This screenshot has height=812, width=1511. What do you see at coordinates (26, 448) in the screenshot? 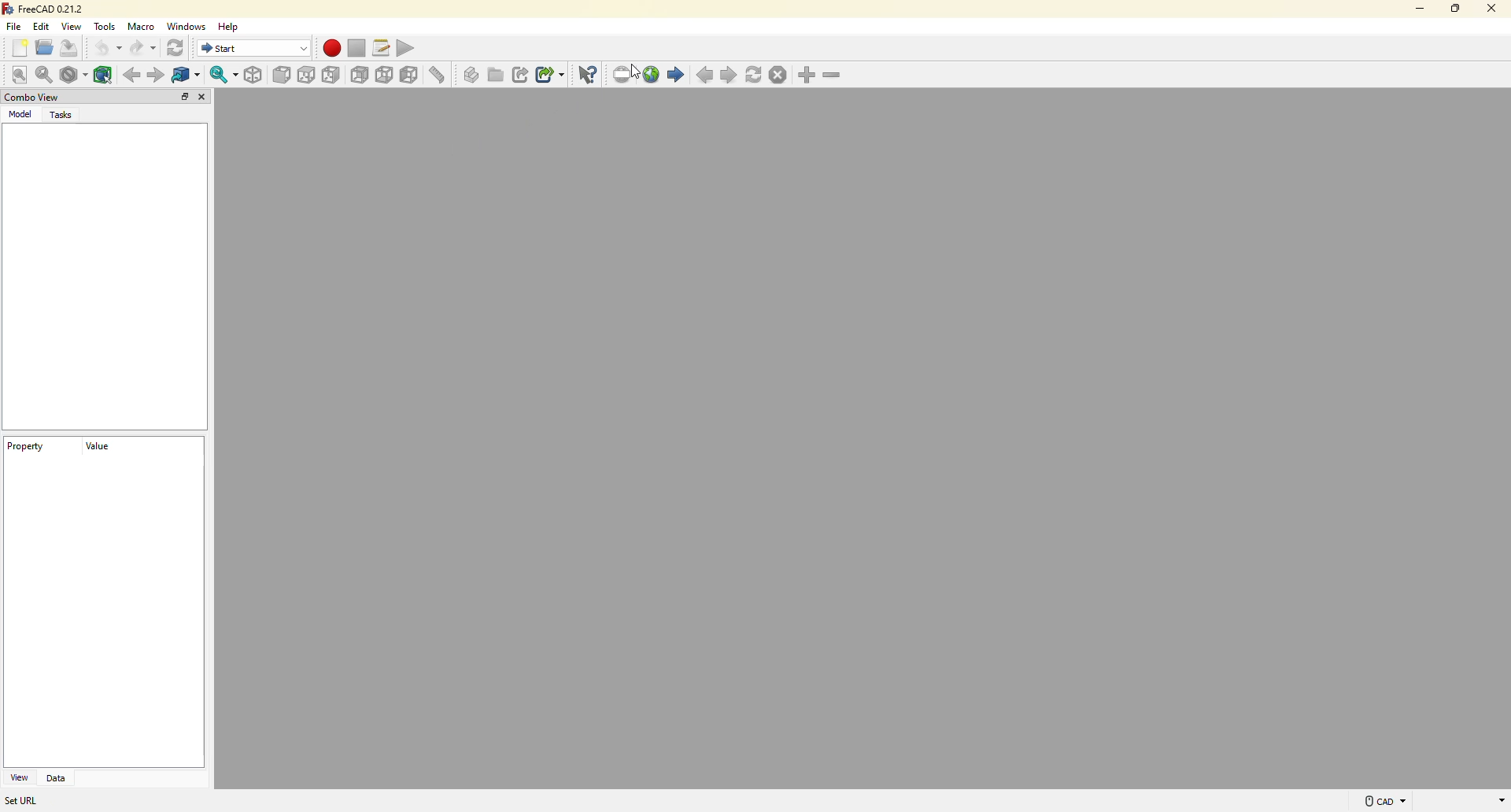
I see `property` at bounding box center [26, 448].